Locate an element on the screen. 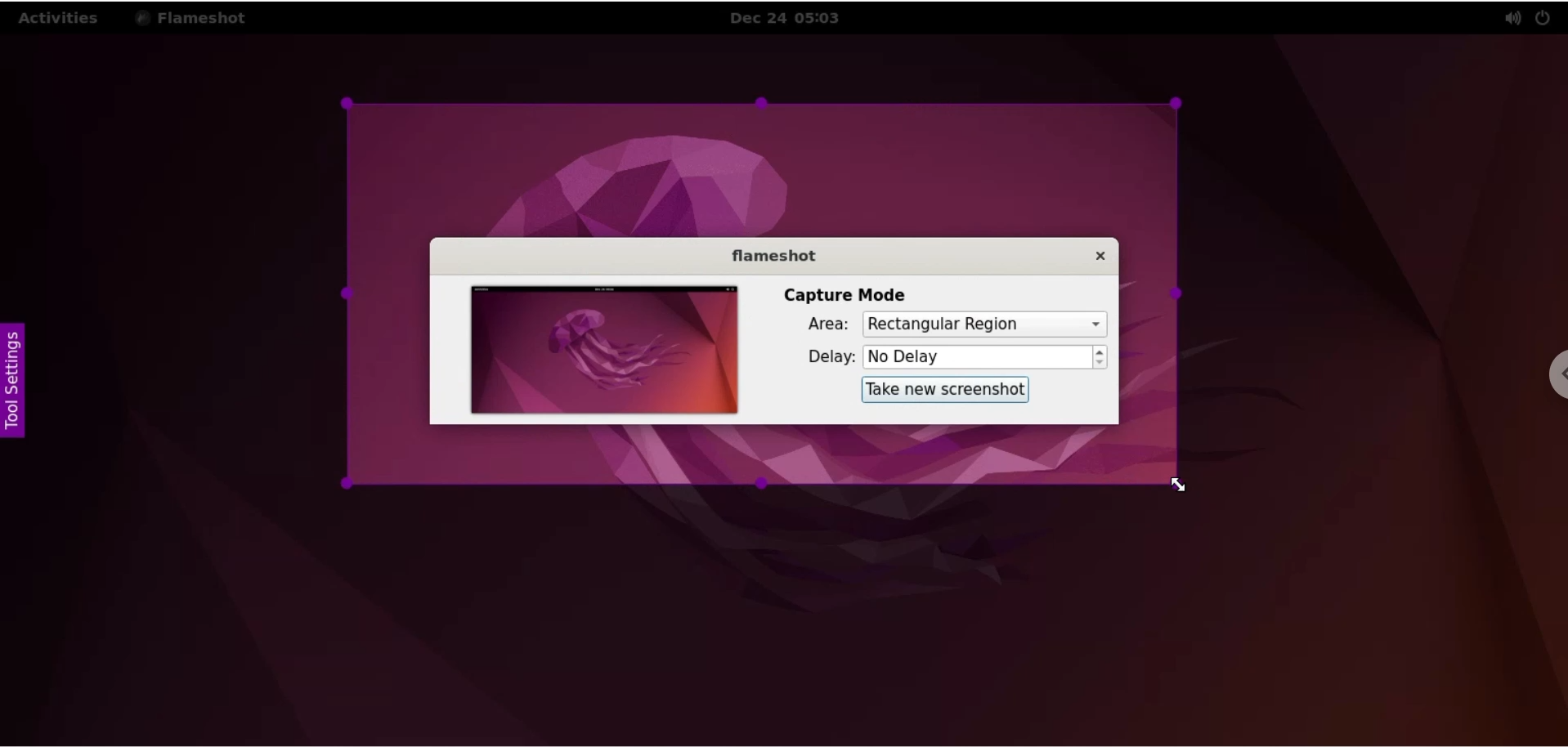 The width and height of the screenshot is (1568, 747). cursor is located at coordinates (1177, 488).